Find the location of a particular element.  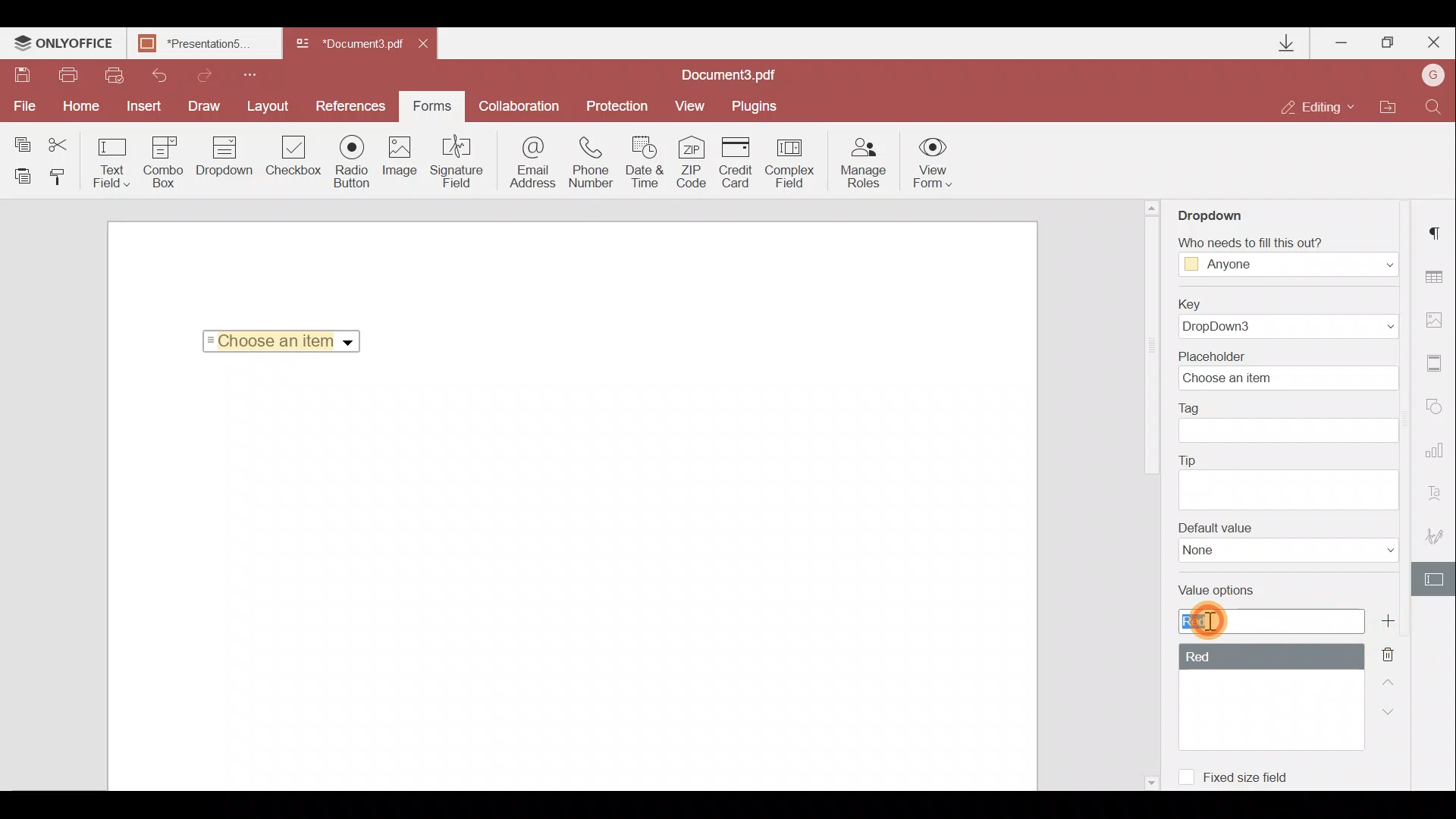

View is located at coordinates (695, 106).